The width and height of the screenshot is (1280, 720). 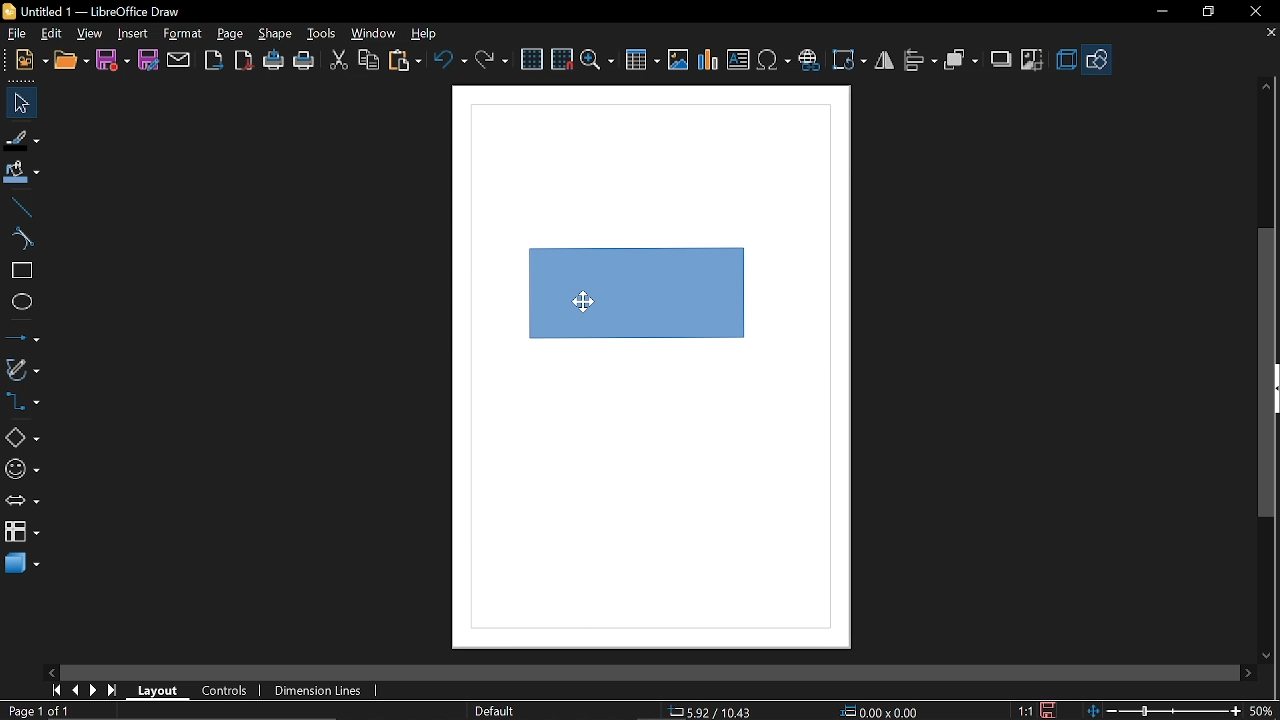 What do you see at coordinates (810, 58) in the screenshot?
I see `Insert hyperlink` at bounding box center [810, 58].